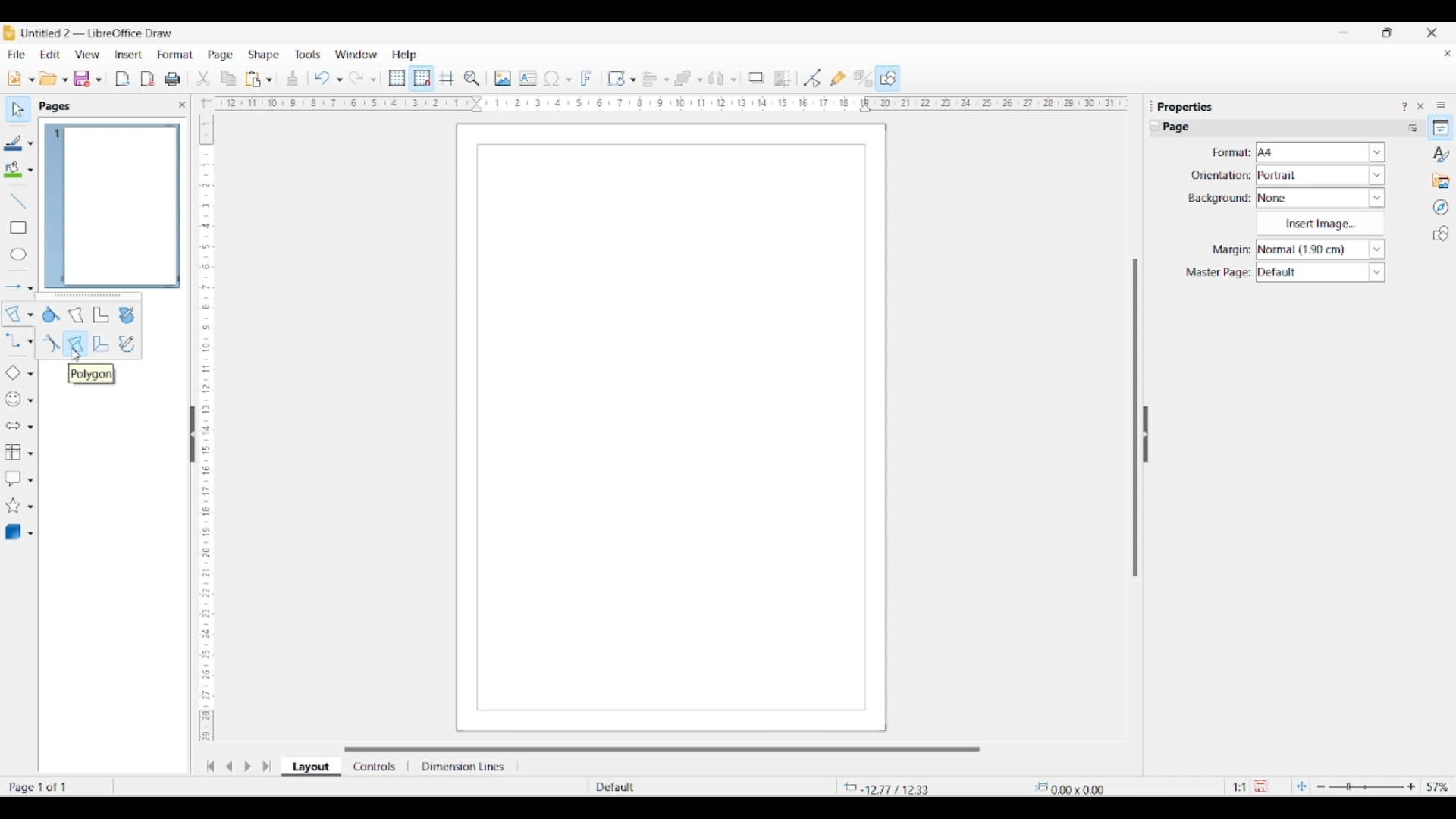  I want to click on Curve and polygon options, so click(30, 315).